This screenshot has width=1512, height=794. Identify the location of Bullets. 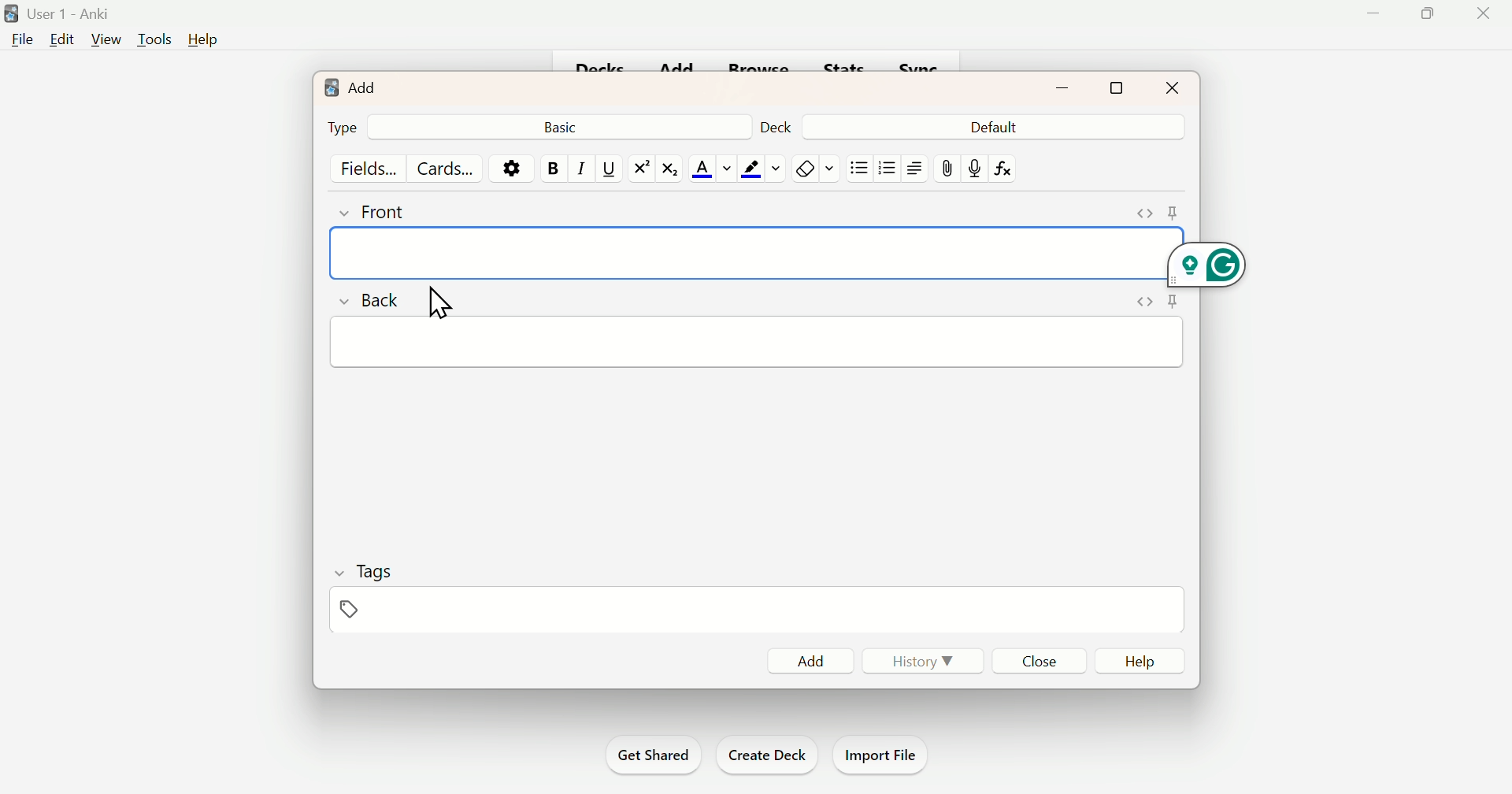
(887, 171).